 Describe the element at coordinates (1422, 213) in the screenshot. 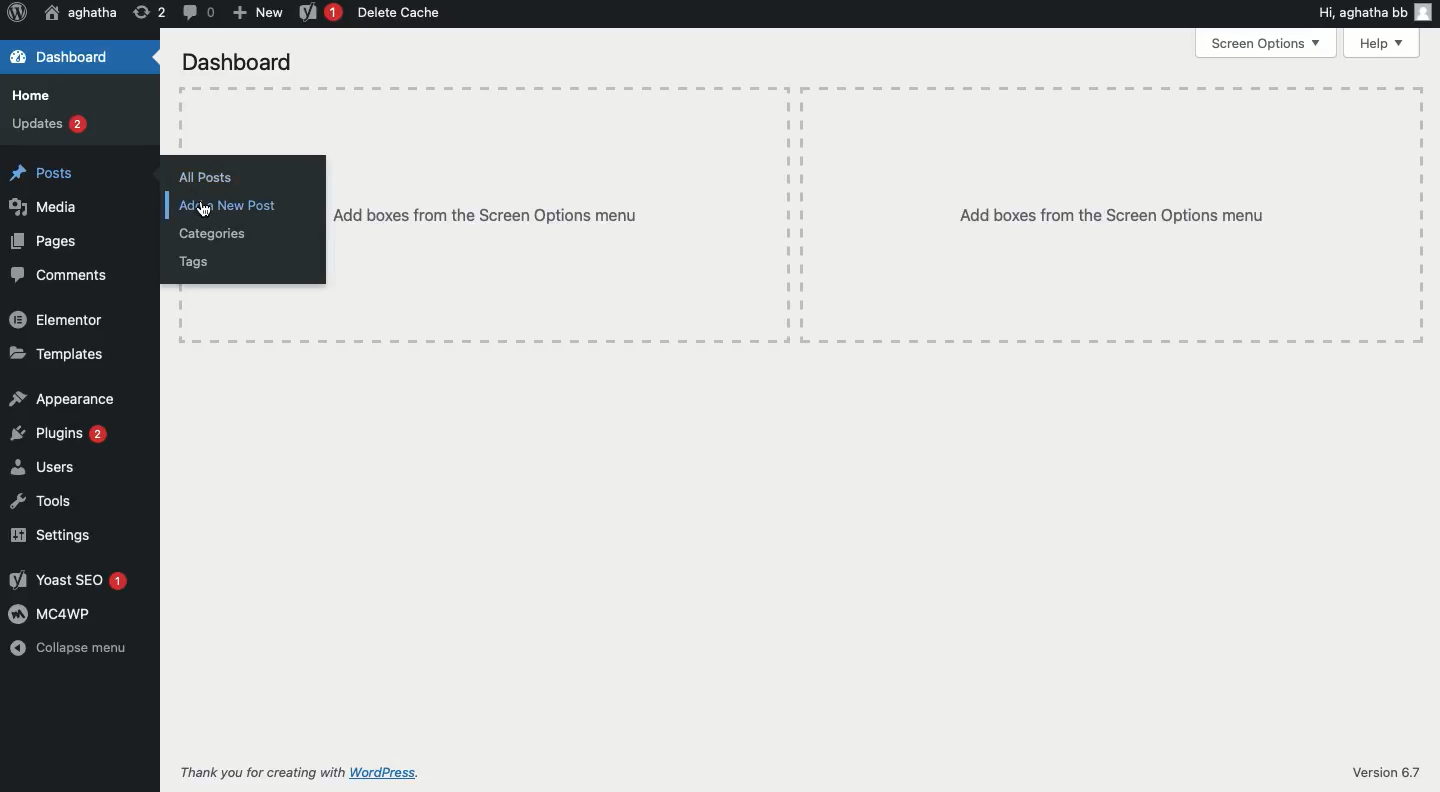

I see `Table line` at that location.